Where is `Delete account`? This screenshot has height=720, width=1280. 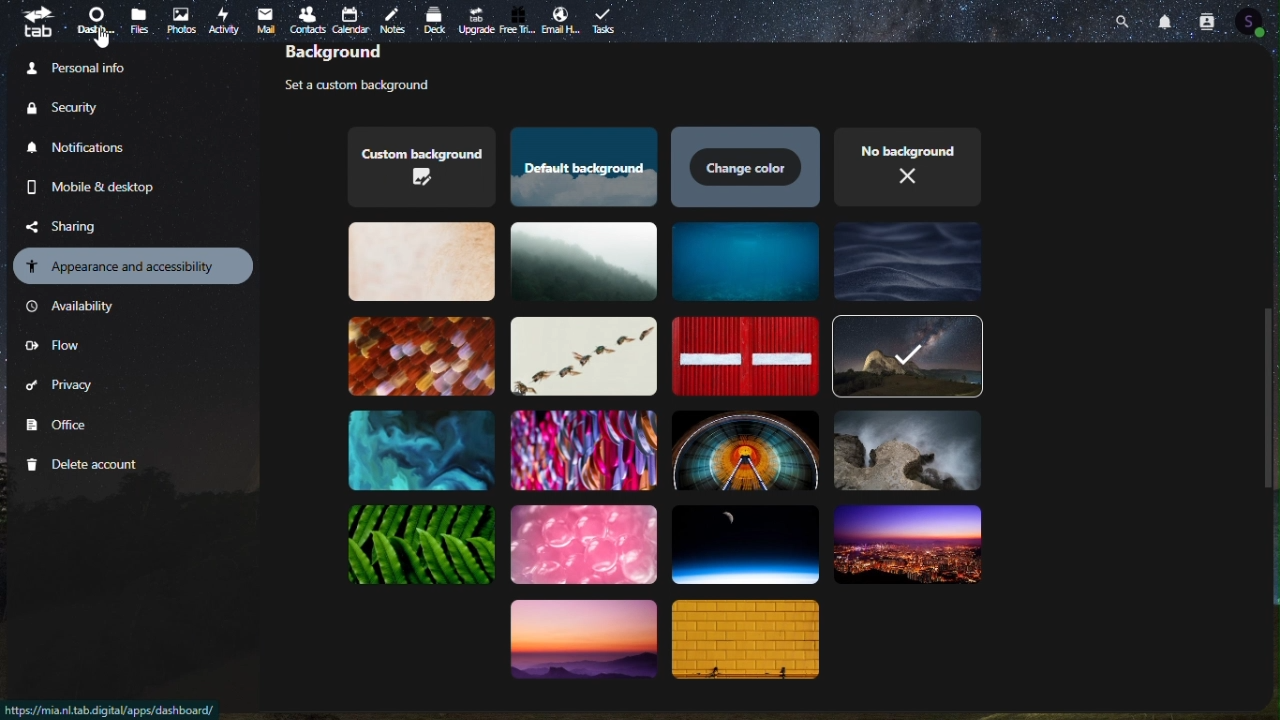 Delete account is located at coordinates (86, 465).